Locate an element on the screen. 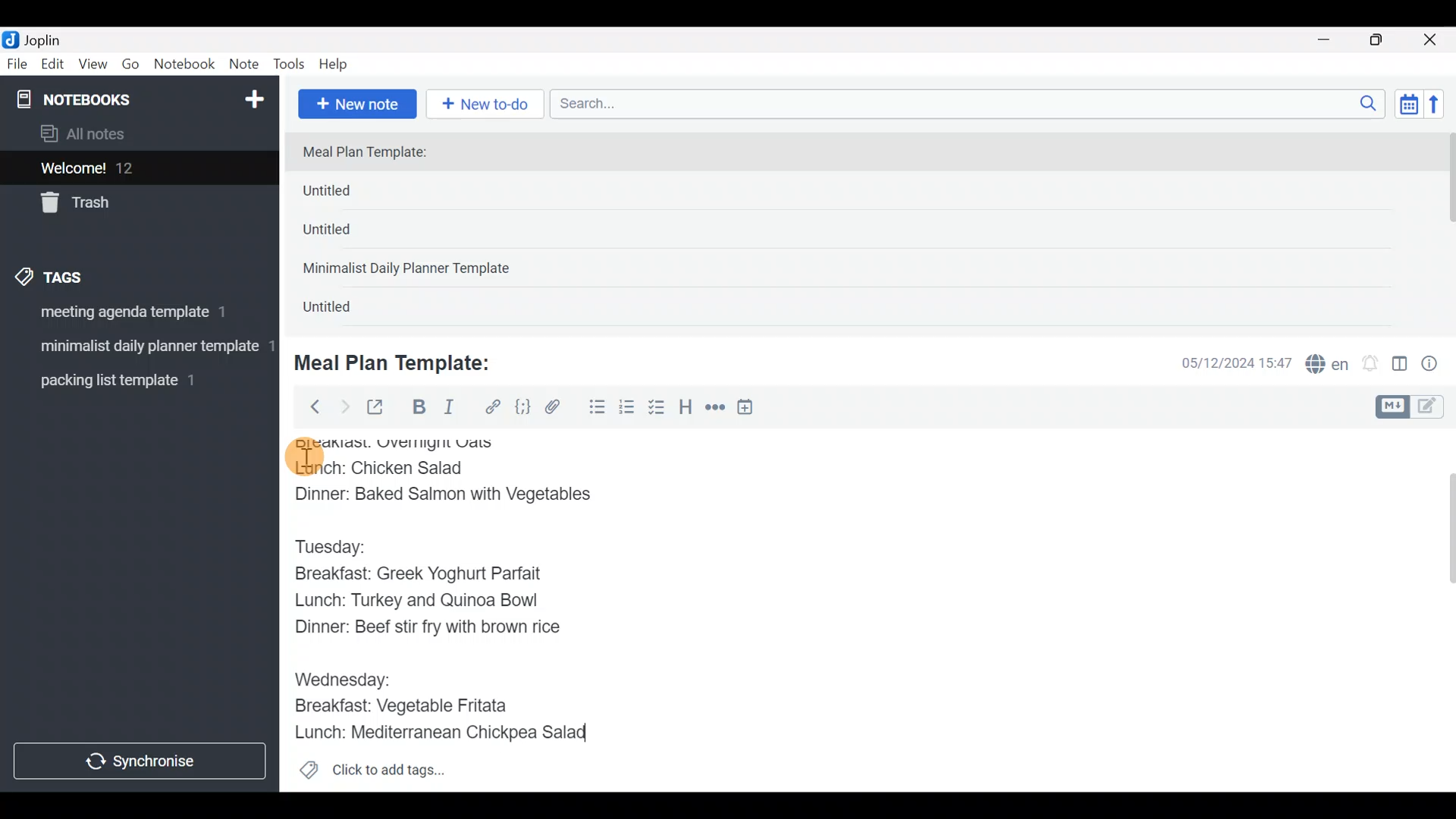  Code is located at coordinates (521, 406).